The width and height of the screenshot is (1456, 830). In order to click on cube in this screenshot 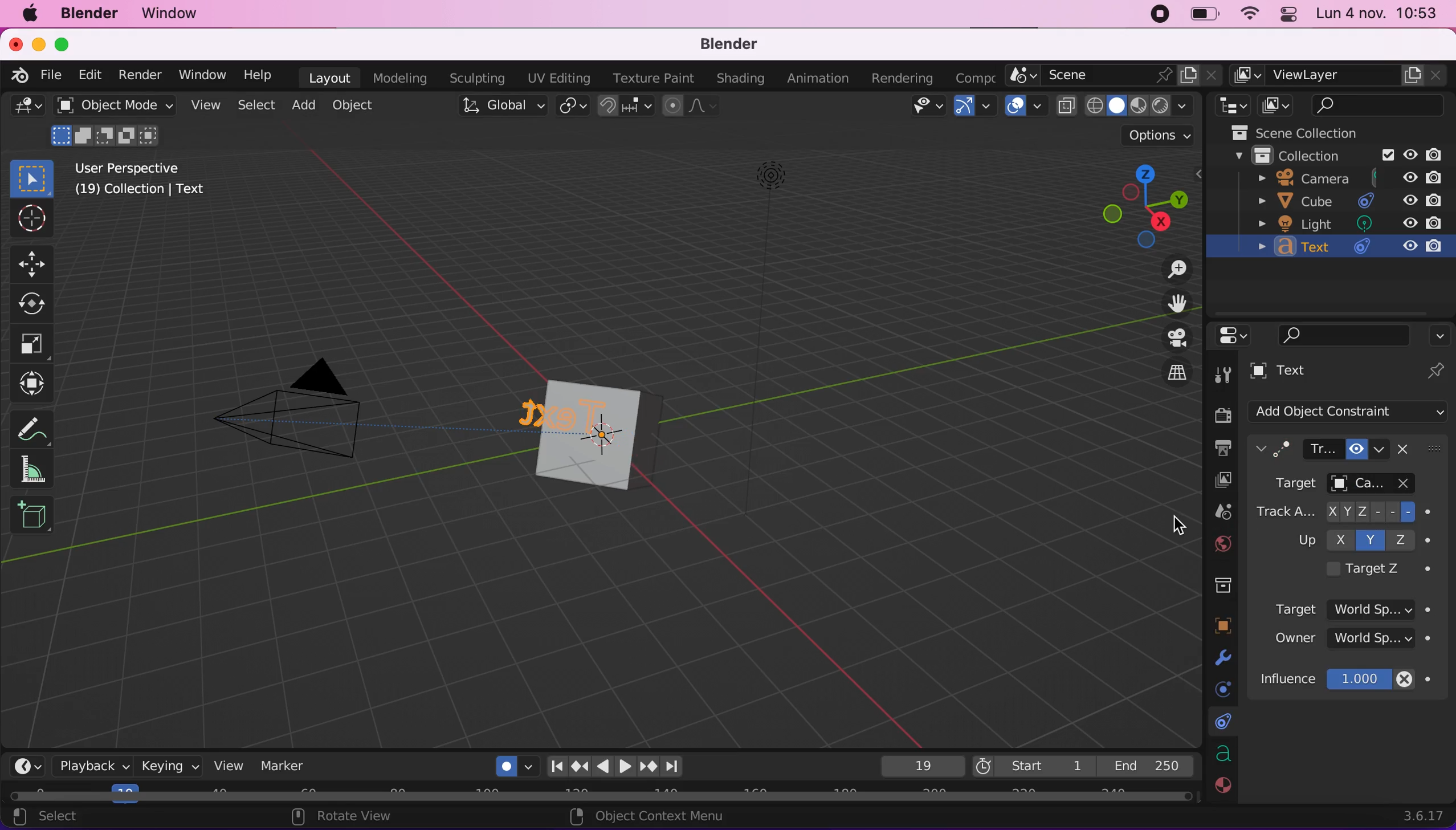, I will do `click(629, 408)`.